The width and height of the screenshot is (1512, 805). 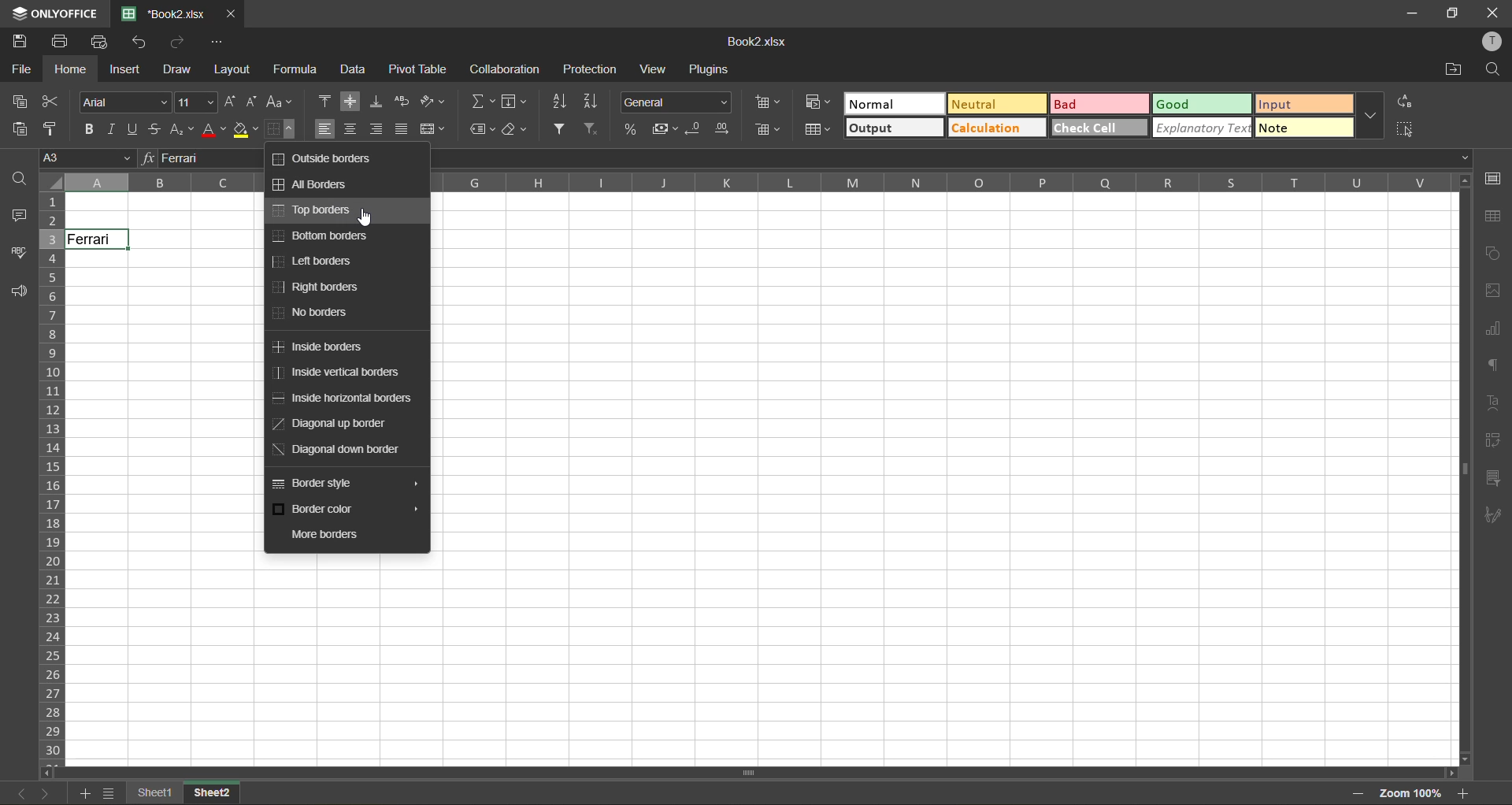 What do you see at coordinates (1494, 291) in the screenshot?
I see `images` at bounding box center [1494, 291].